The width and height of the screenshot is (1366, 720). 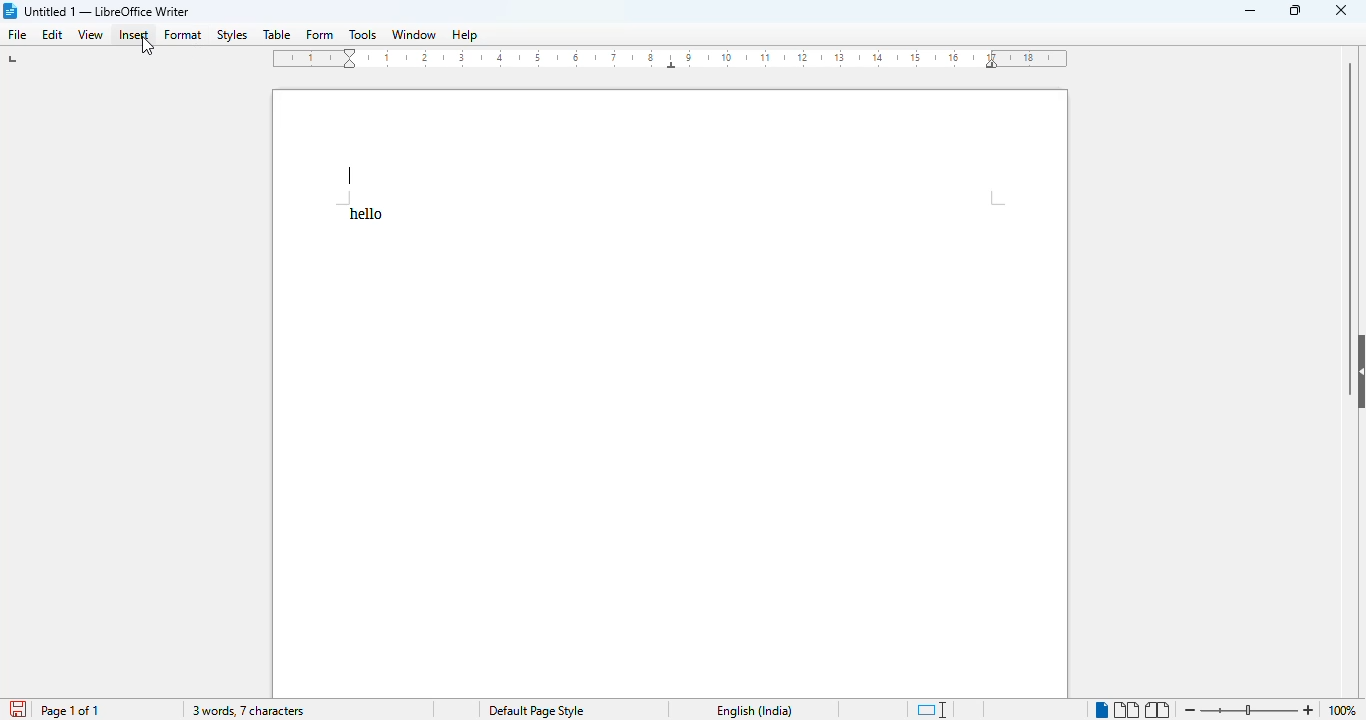 I want to click on file, so click(x=16, y=34).